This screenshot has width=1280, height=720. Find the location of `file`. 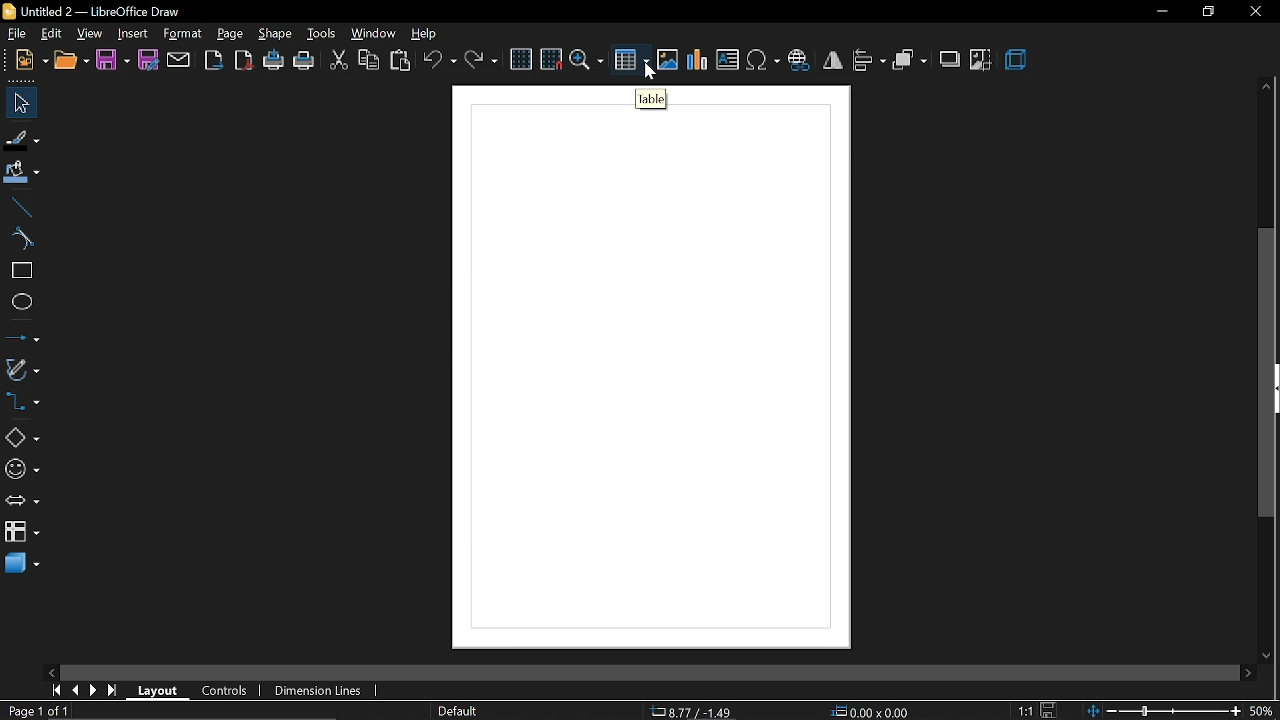

file is located at coordinates (16, 34).